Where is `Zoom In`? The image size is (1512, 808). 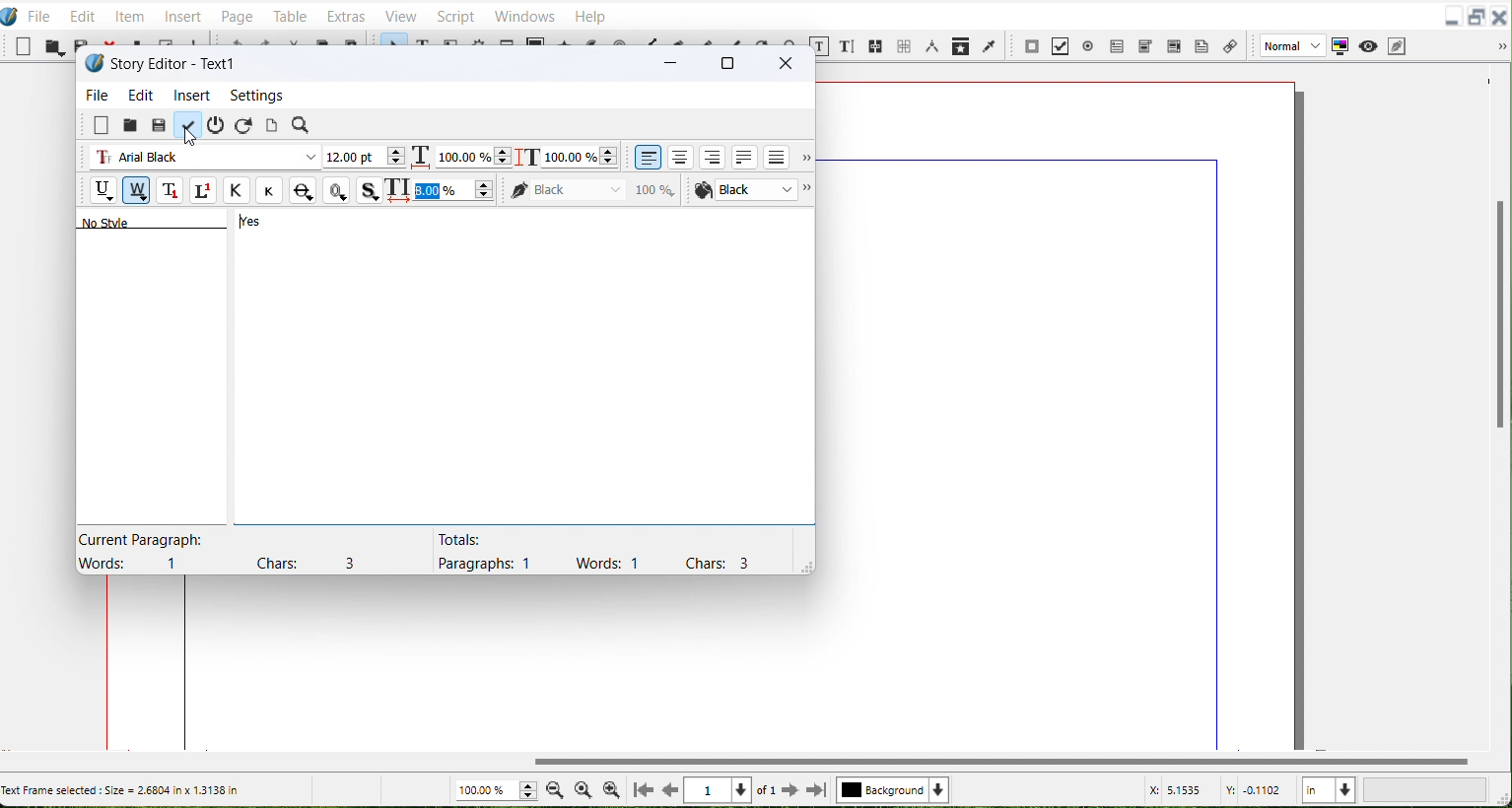
Zoom In is located at coordinates (611, 789).